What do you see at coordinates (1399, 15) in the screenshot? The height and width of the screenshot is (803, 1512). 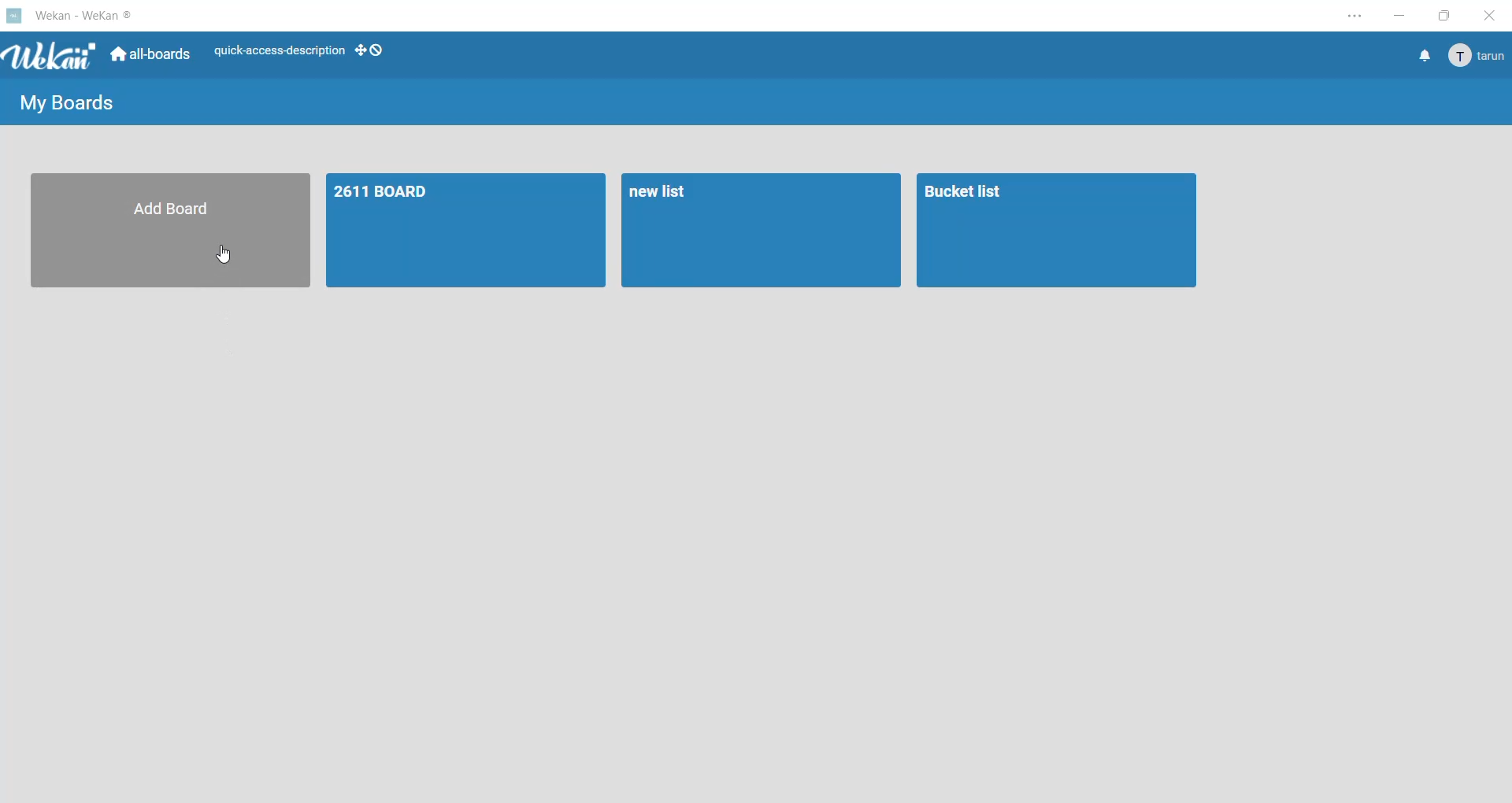 I see `minimize` at bounding box center [1399, 15].